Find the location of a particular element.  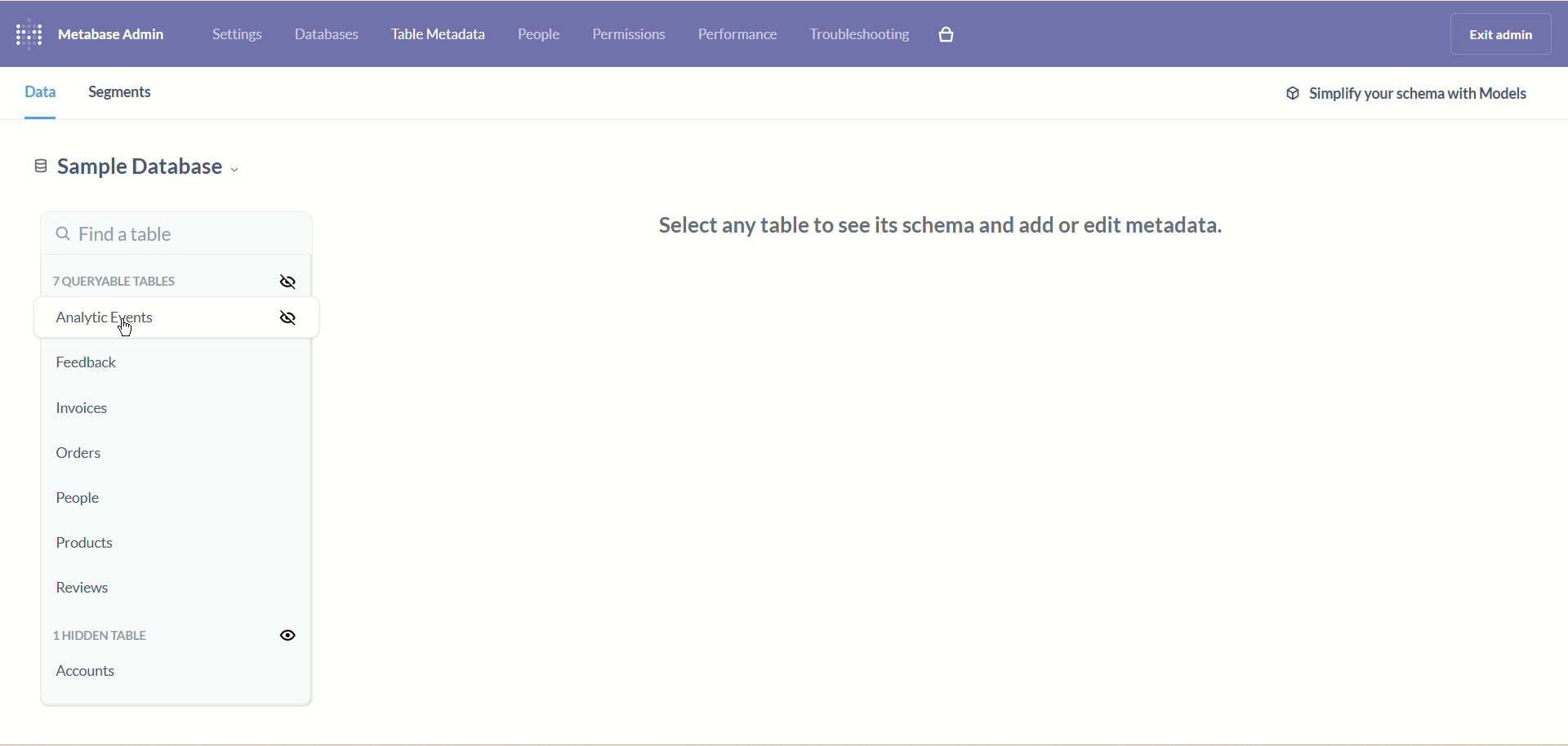

Feedback is located at coordinates (96, 365).